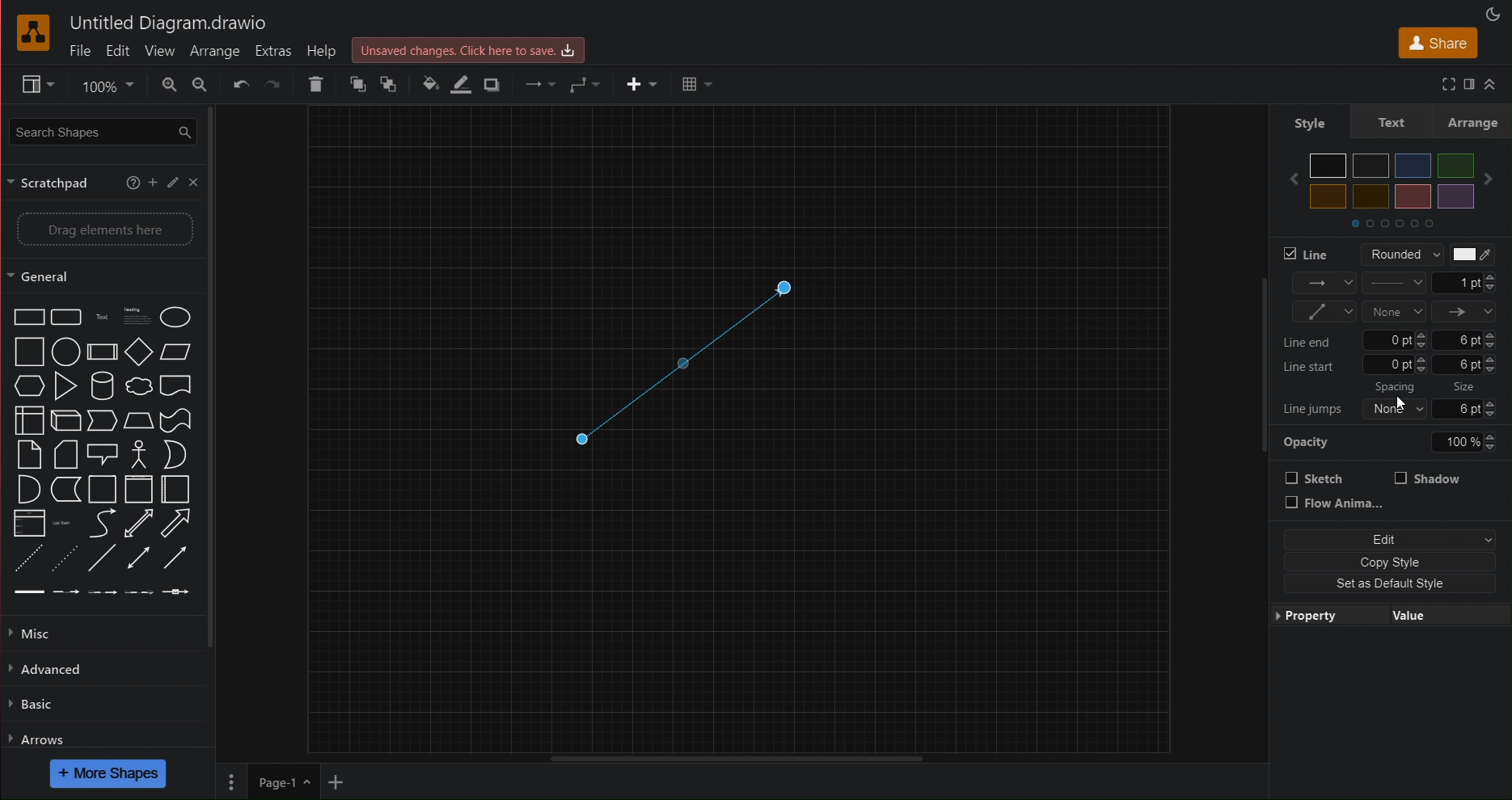  Describe the element at coordinates (1308, 122) in the screenshot. I see `Style` at that location.